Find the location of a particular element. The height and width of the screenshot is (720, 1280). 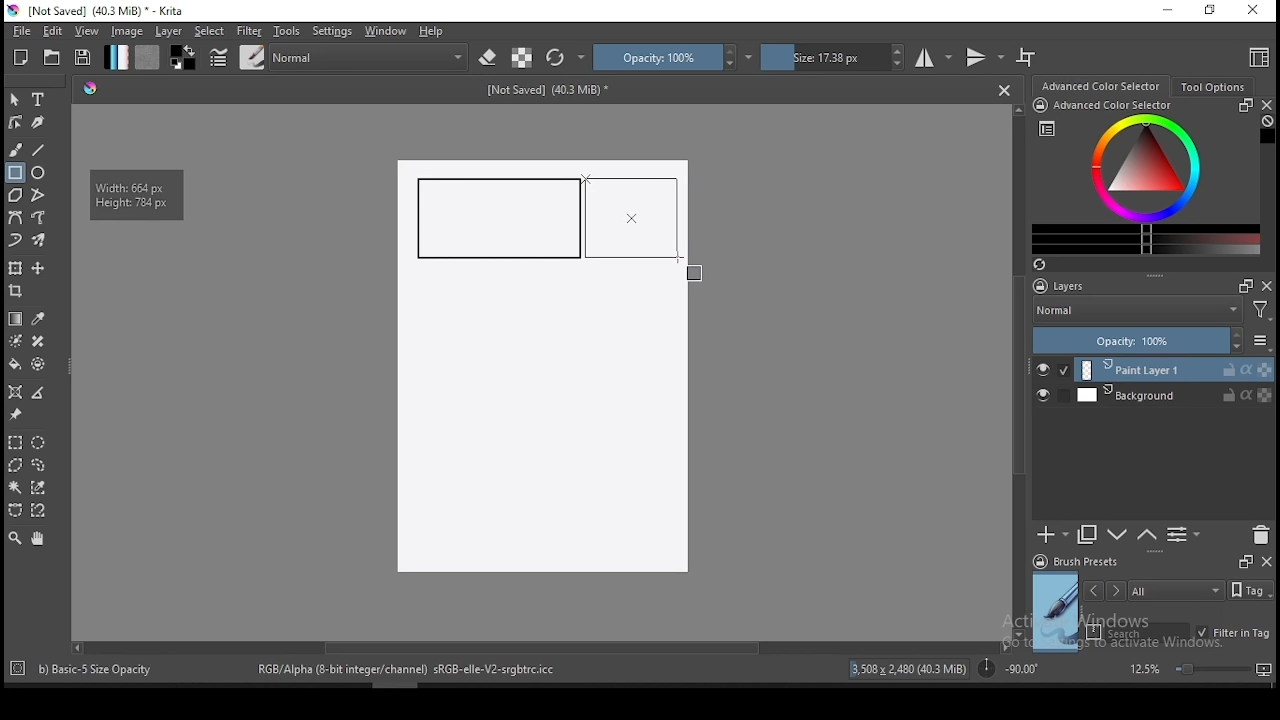

opacity is located at coordinates (1150, 342).